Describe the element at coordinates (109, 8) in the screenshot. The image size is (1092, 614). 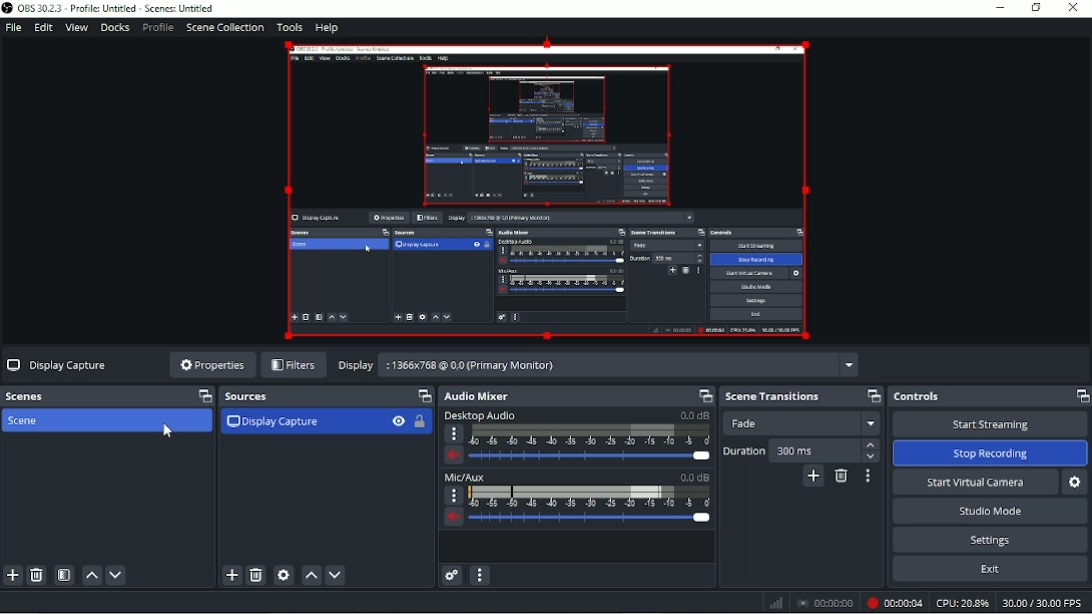
I see `OBS 30.2.3 - Profile: Untitled - Scenes: Untitled` at that location.